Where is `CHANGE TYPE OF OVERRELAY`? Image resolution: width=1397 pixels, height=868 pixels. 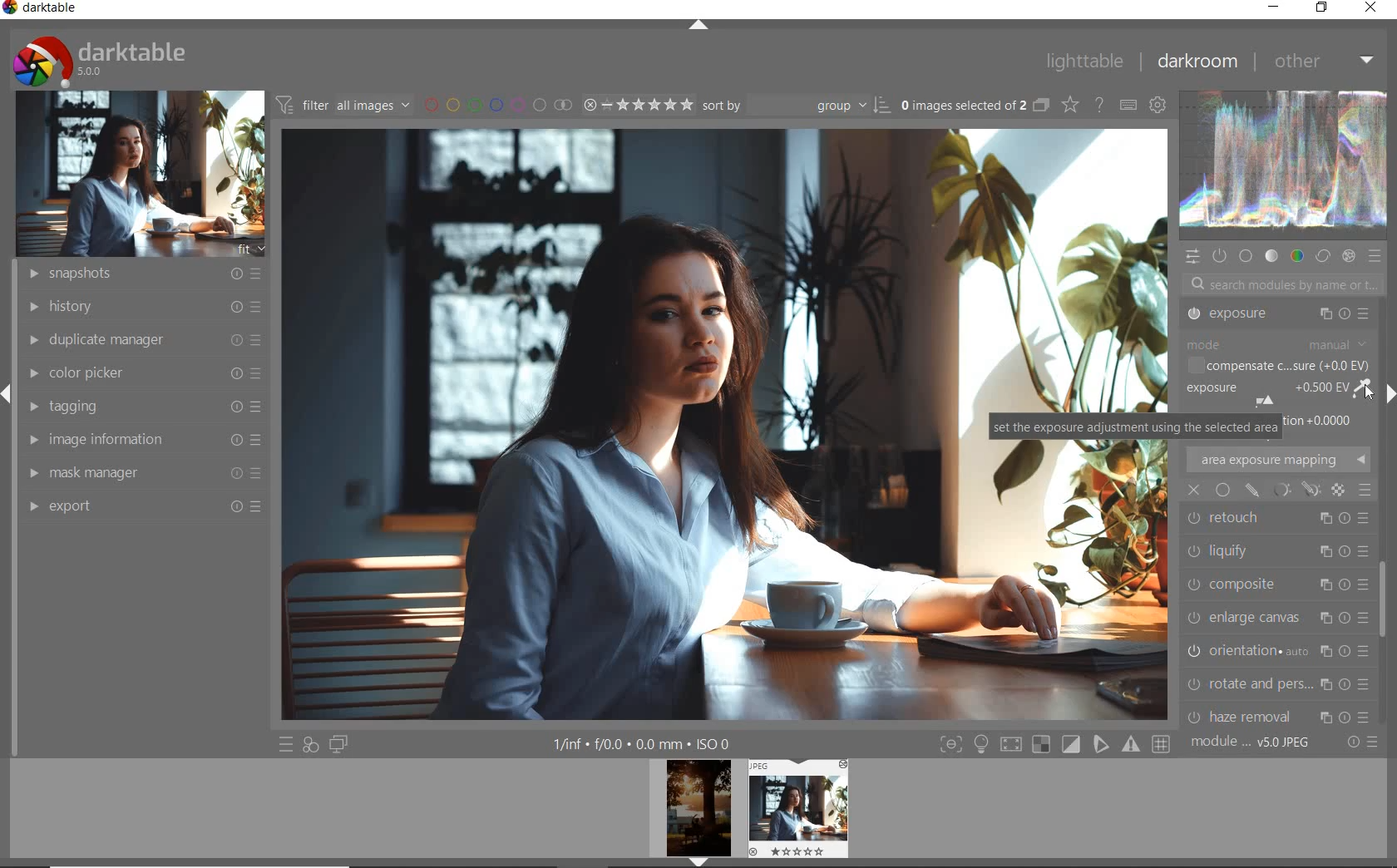 CHANGE TYPE OF OVERRELAY is located at coordinates (1069, 104).